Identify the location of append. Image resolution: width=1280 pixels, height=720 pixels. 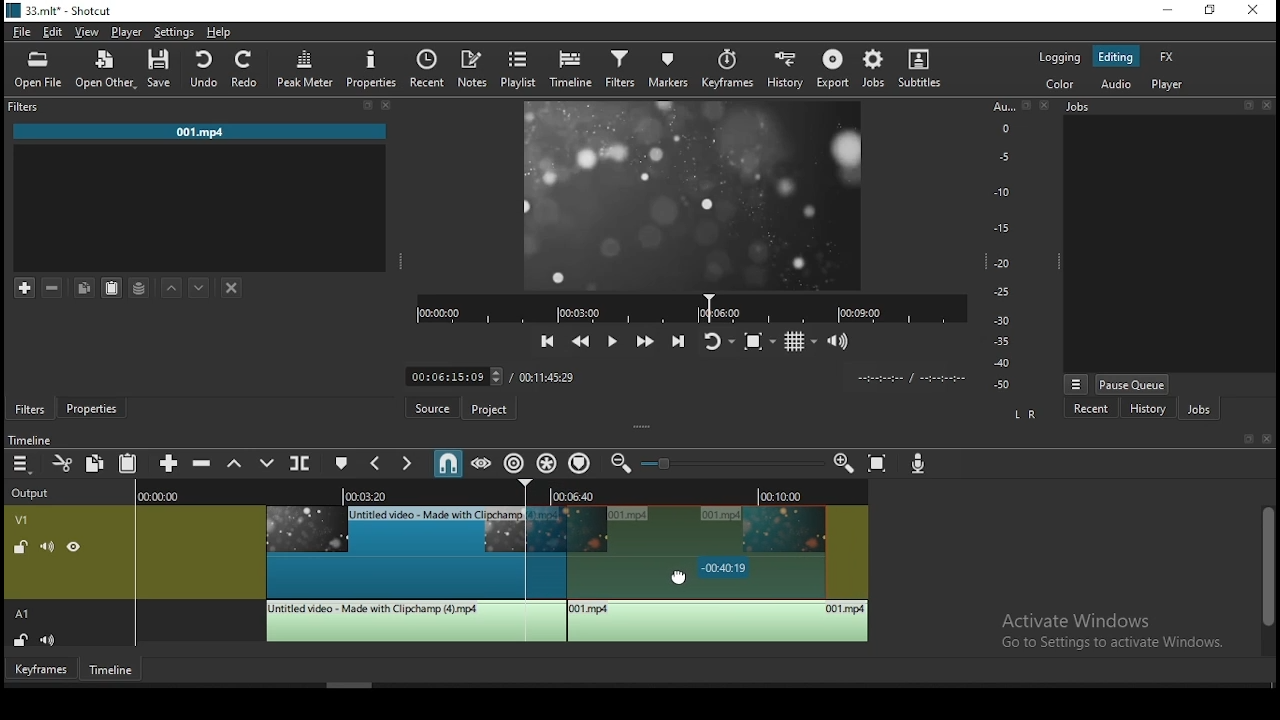
(168, 463).